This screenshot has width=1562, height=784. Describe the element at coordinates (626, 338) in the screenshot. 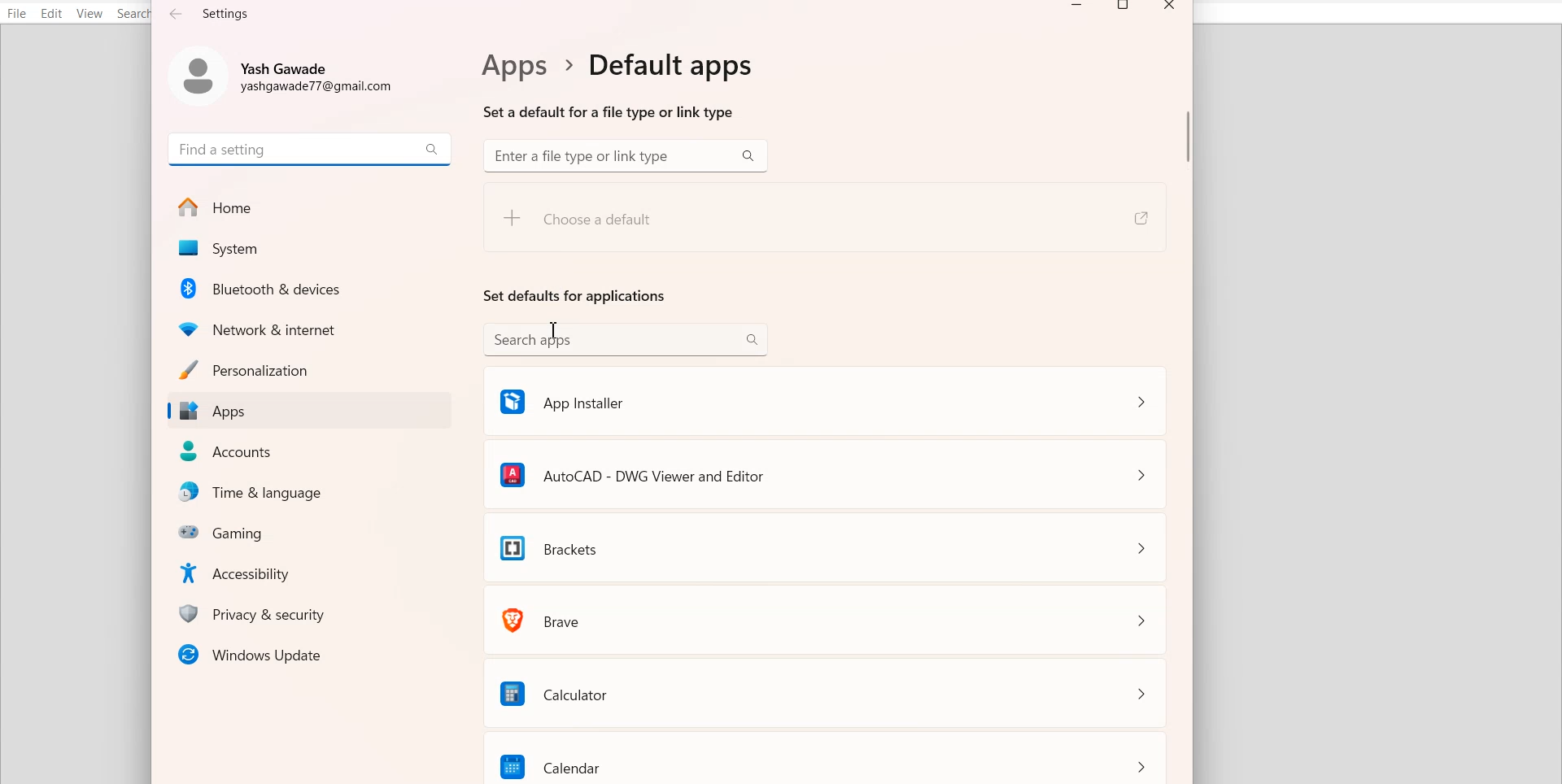

I see `Search apps` at that location.